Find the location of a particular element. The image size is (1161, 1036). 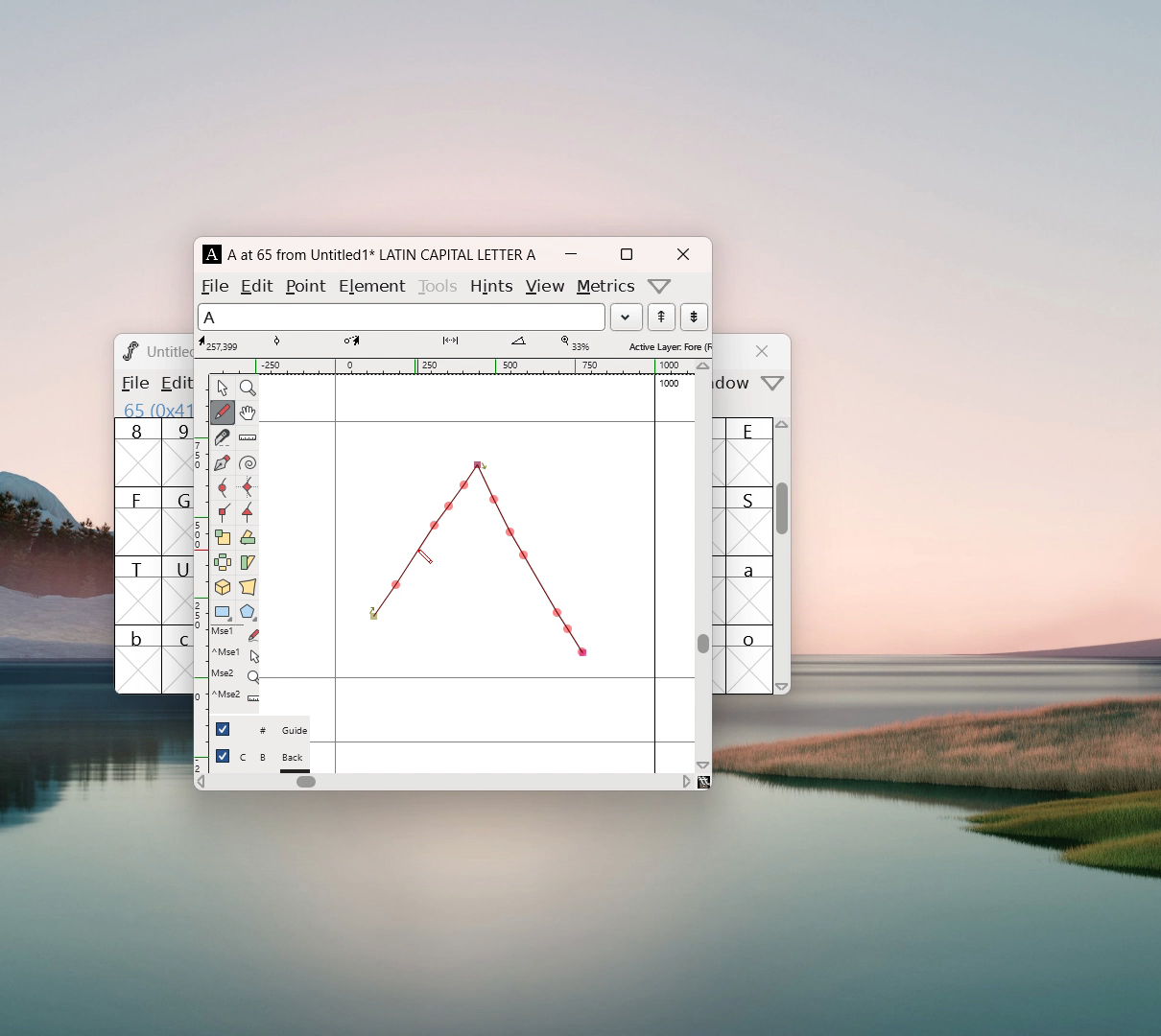

flip selection is located at coordinates (223, 565).